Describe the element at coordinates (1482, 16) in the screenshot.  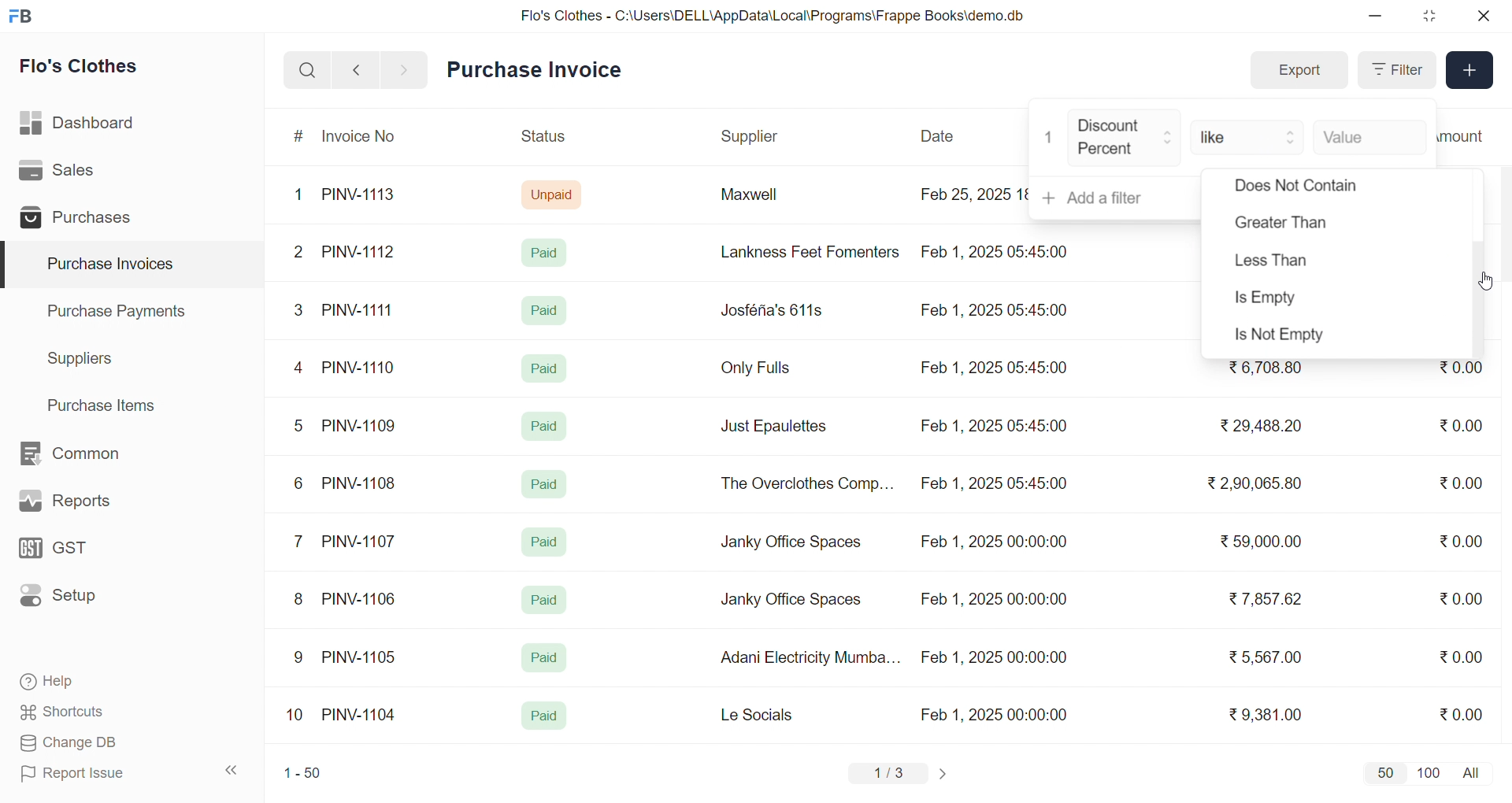
I see `close` at that location.